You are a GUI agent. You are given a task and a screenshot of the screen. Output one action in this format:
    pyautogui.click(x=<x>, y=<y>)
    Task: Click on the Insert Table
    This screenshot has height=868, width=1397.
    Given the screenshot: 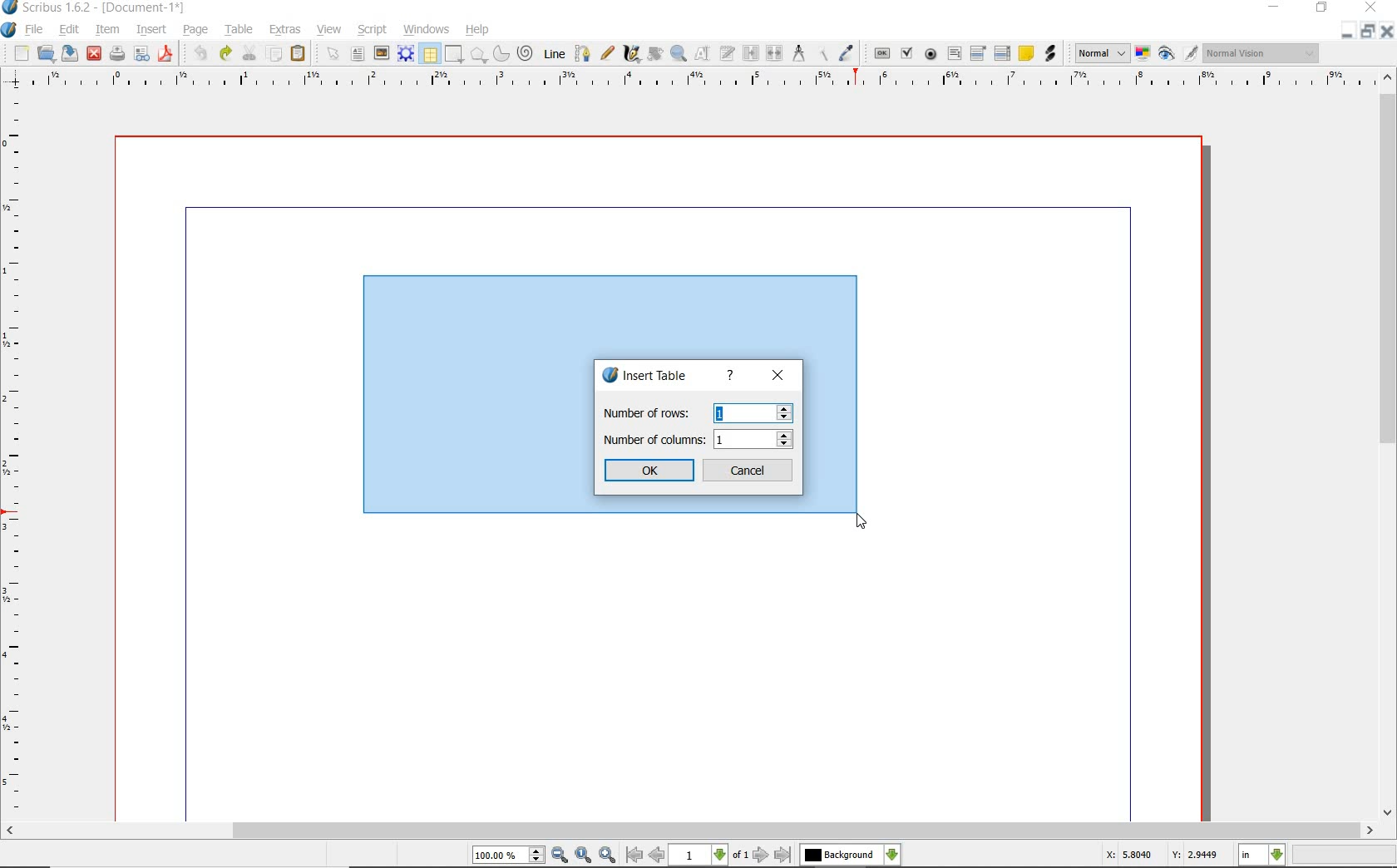 What is the action you would take?
    pyautogui.click(x=650, y=377)
    